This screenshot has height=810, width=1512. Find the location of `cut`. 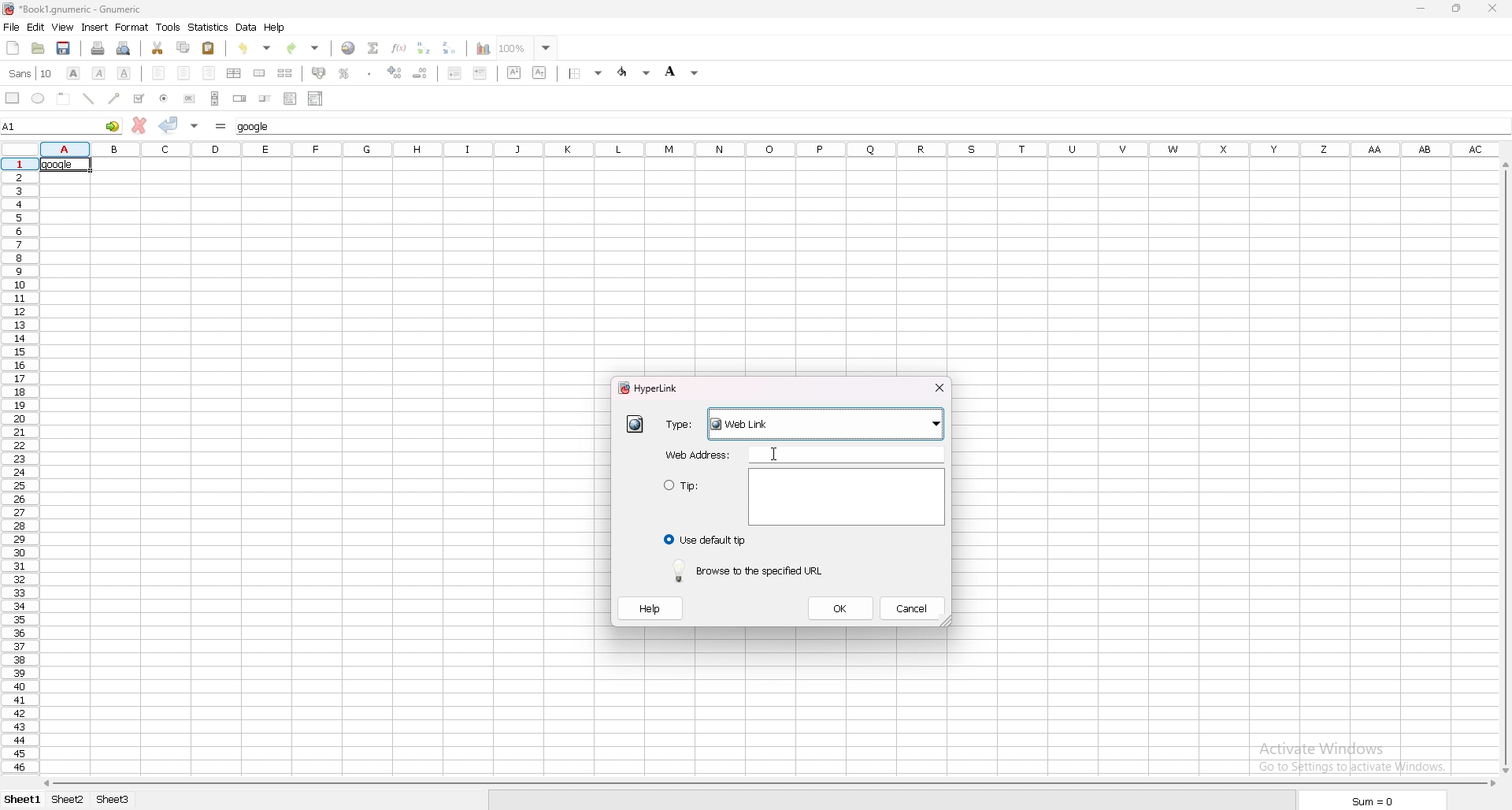

cut is located at coordinates (157, 48).